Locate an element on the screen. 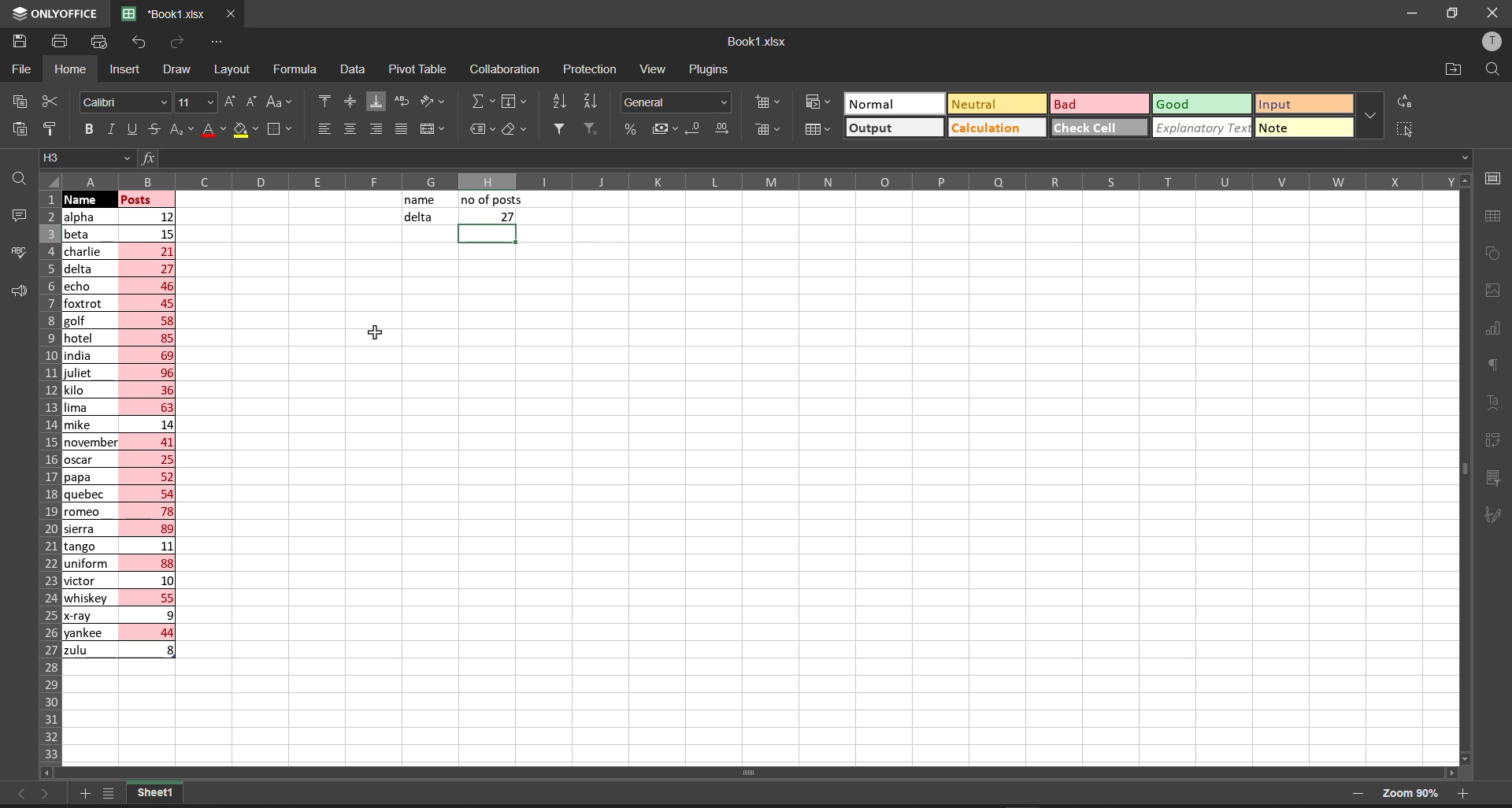  merge and center is located at coordinates (433, 130).